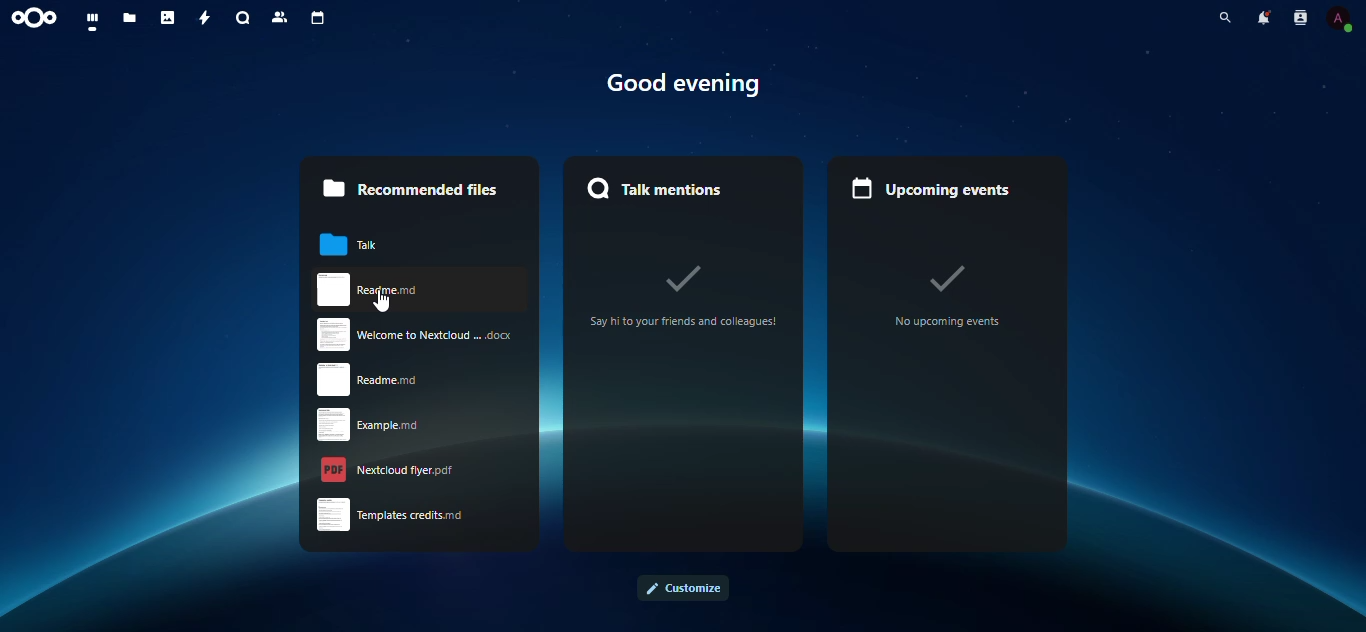 The width and height of the screenshot is (1366, 632). I want to click on customize, so click(682, 588).